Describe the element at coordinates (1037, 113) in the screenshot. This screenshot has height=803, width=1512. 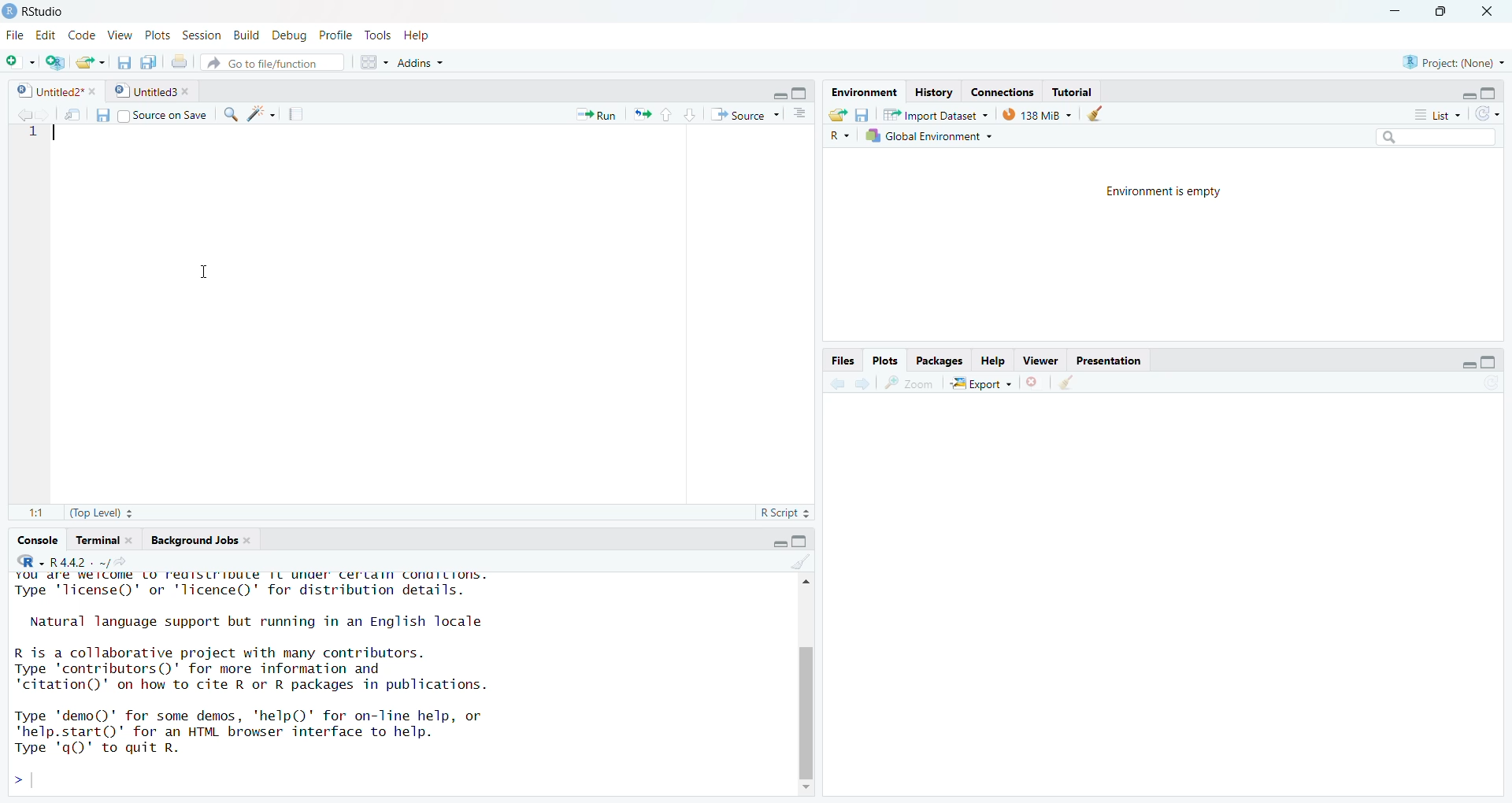
I see `138 MB` at that location.